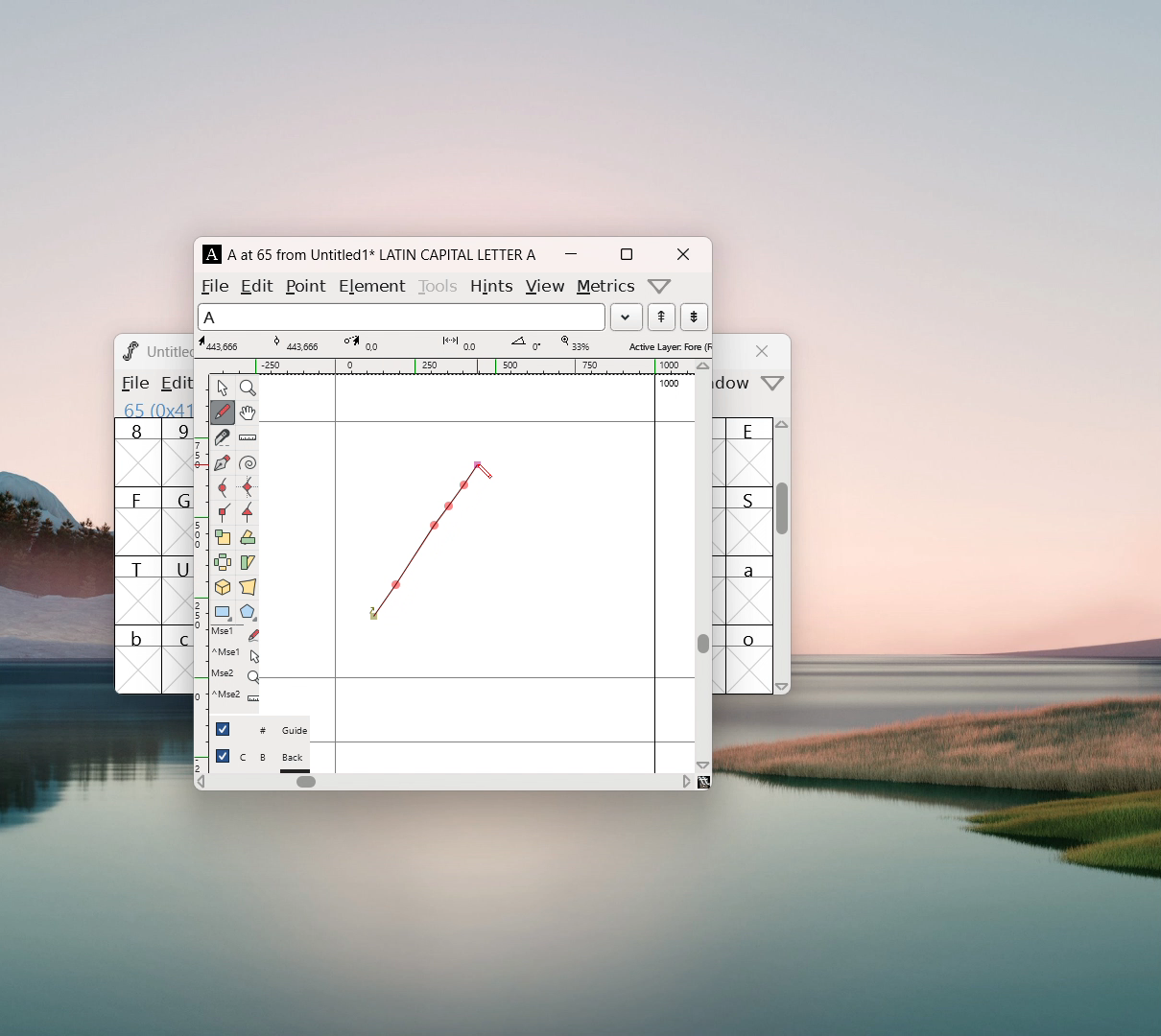  I want to click on toggle spiro, so click(248, 463).